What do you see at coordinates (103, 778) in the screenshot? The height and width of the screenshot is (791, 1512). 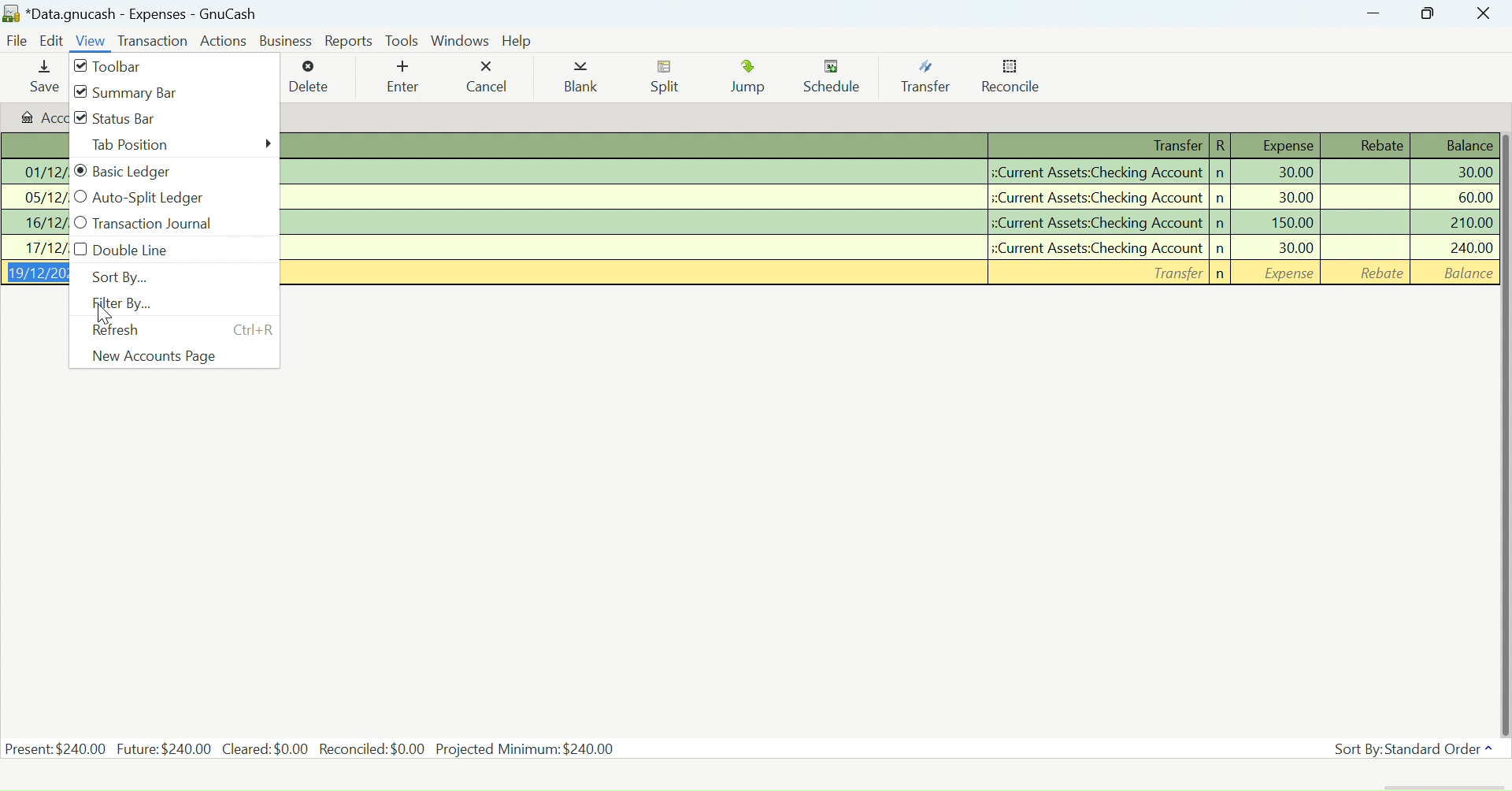 I see `Thursday, 19 December 2024` at bounding box center [103, 778].